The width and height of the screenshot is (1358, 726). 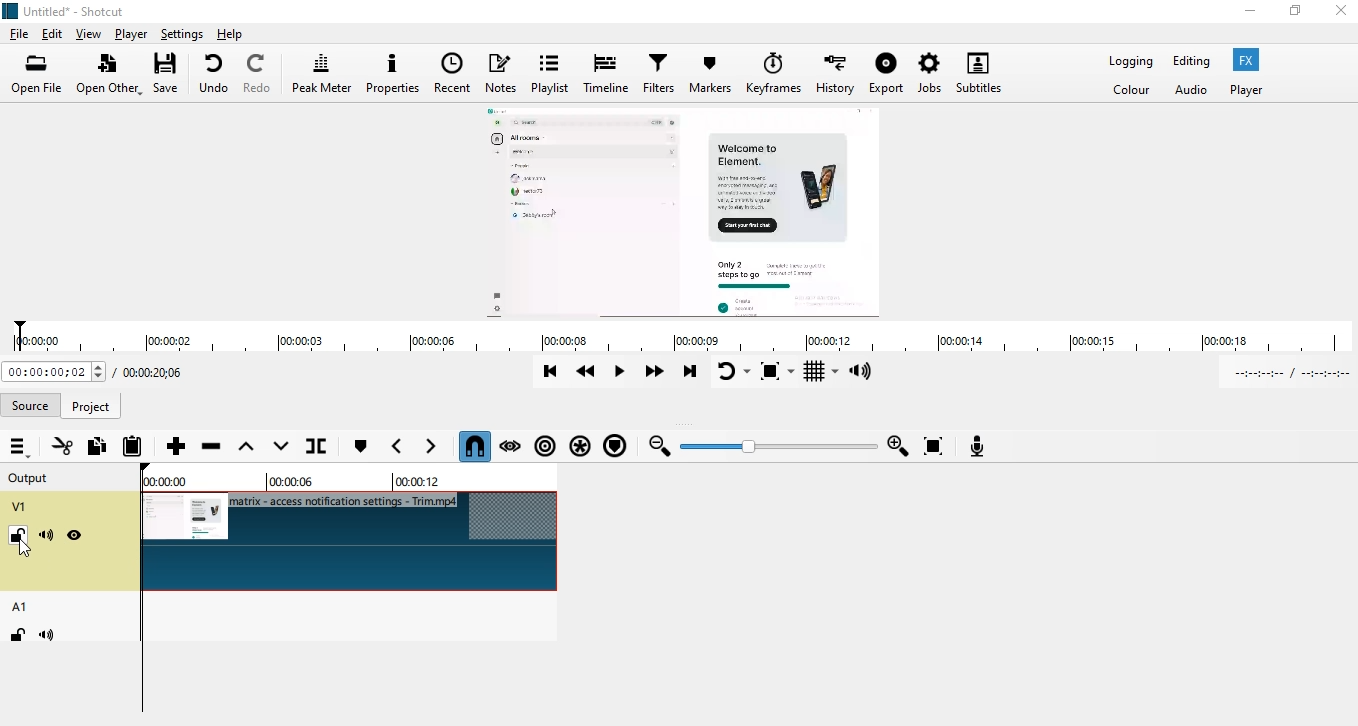 What do you see at coordinates (52, 31) in the screenshot?
I see `edit` at bounding box center [52, 31].